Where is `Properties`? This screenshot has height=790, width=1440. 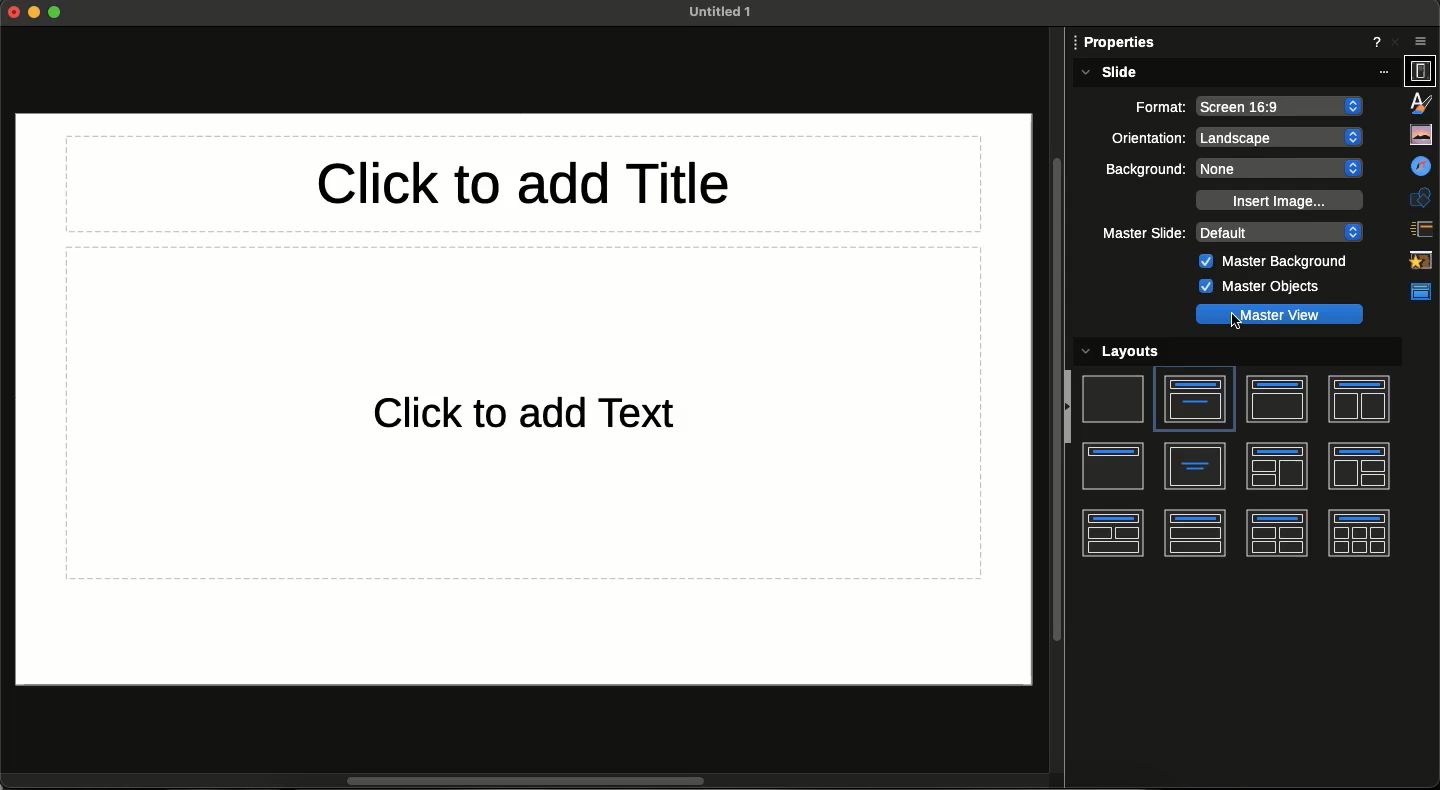
Properties is located at coordinates (1119, 44).